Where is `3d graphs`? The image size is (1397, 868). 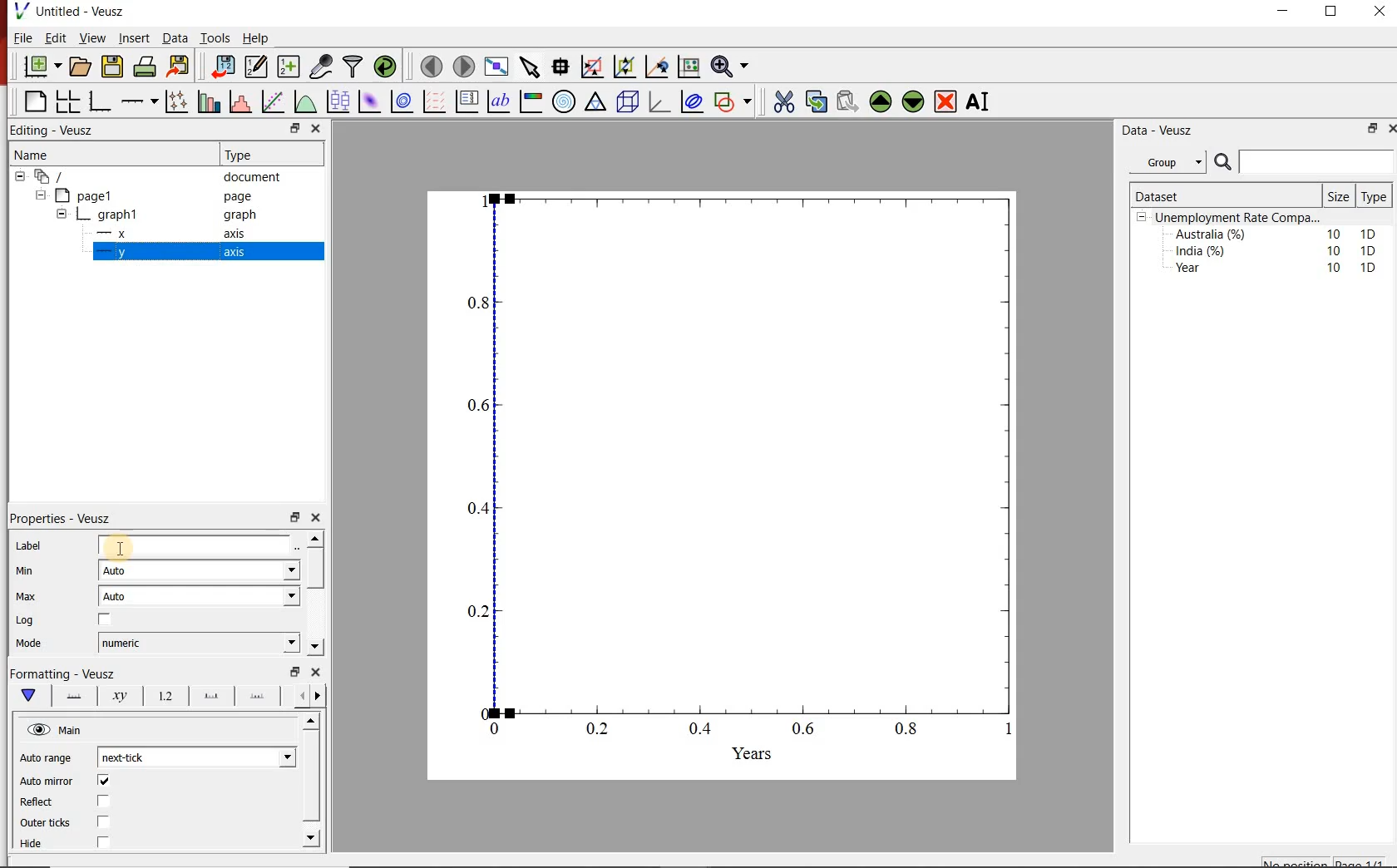
3d graphs is located at coordinates (659, 101).